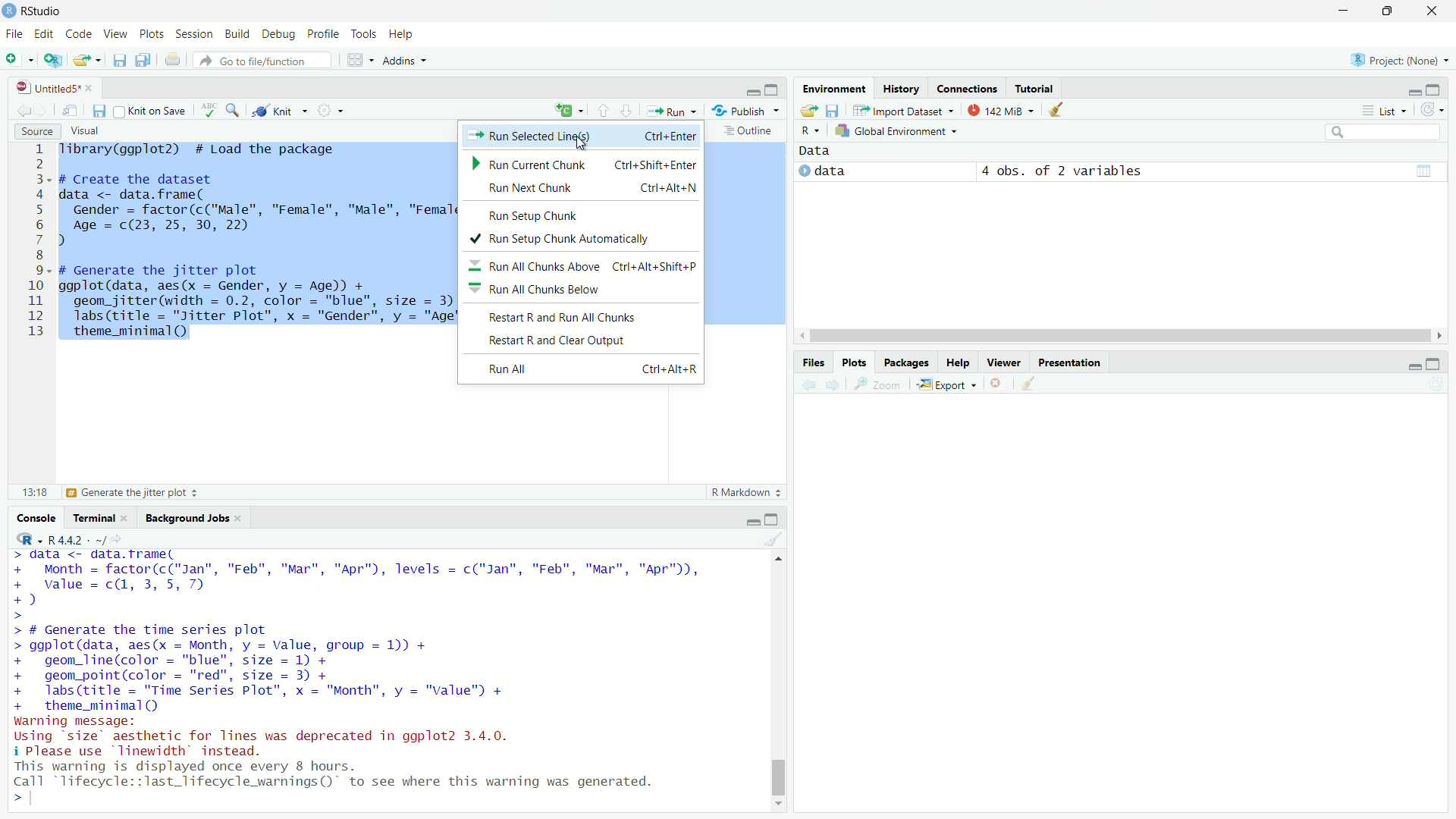 This screenshot has height=819, width=1456. I want to click on outline, so click(748, 131).